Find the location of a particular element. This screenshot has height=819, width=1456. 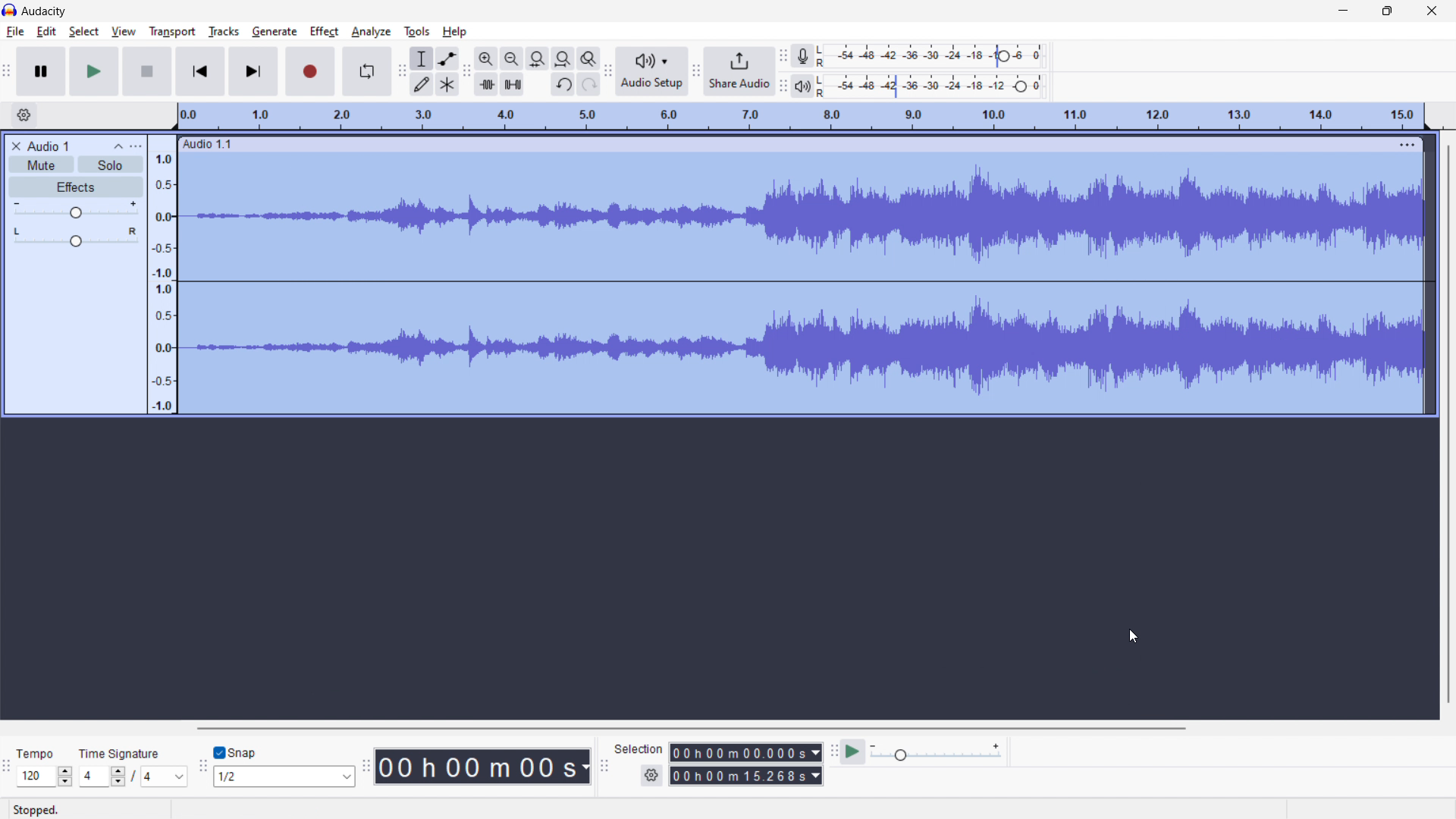

delete audio is located at coordinates (15, 146).